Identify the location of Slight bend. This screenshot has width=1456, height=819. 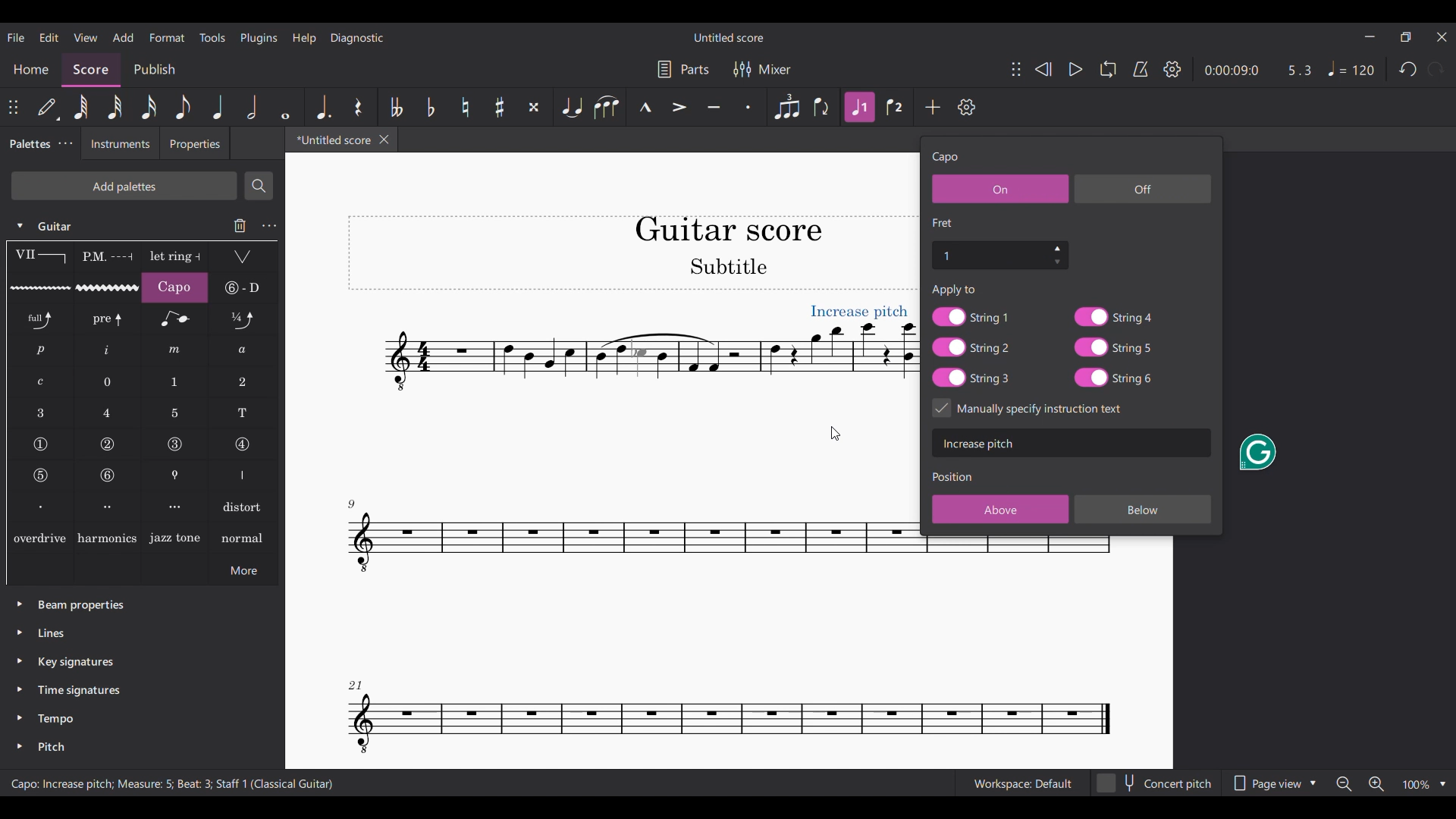
(243, 318).